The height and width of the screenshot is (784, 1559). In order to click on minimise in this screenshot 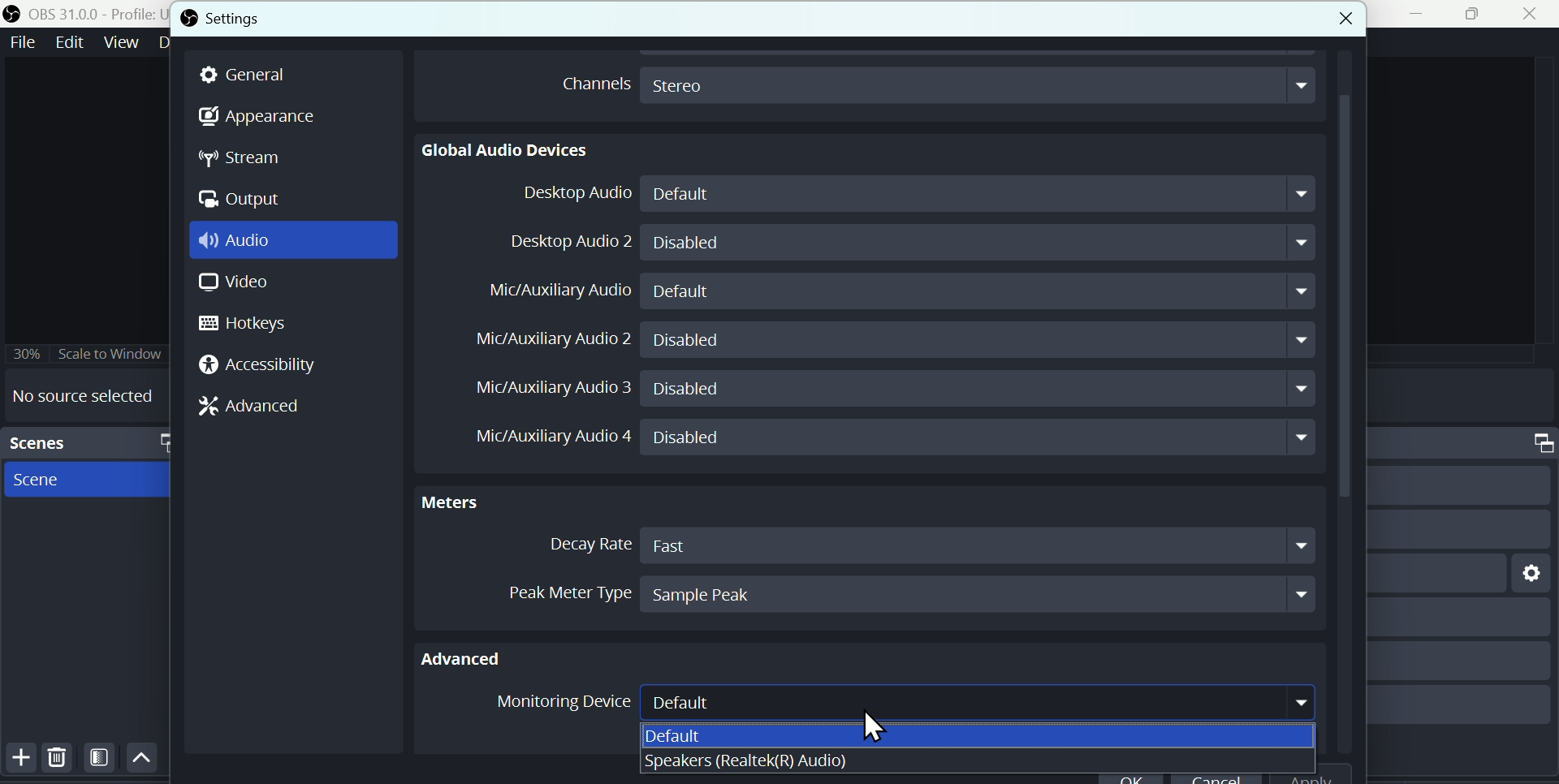, I will do `click(1420, 14)`.